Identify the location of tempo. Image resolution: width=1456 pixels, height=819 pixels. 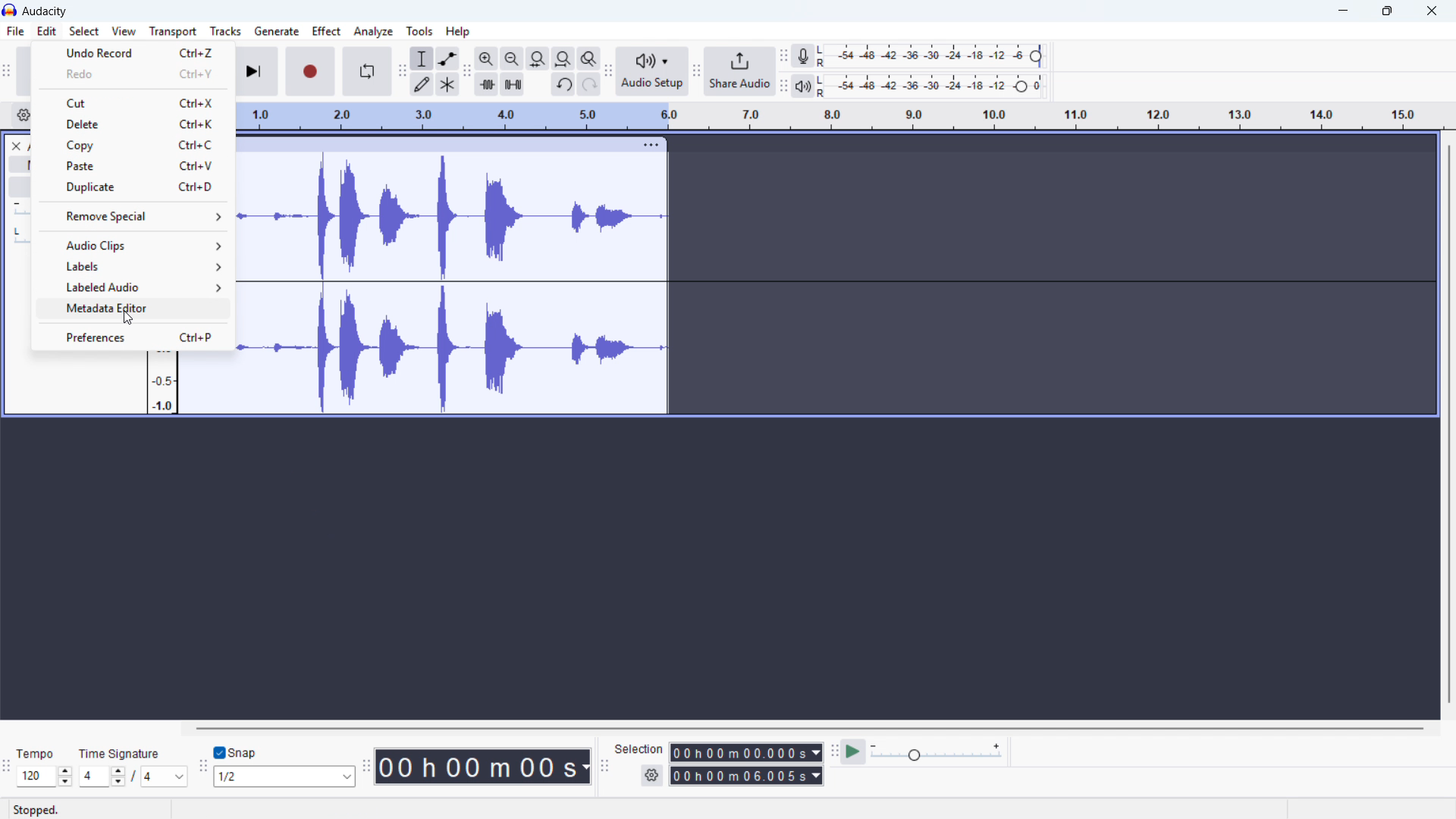
(39, 753).